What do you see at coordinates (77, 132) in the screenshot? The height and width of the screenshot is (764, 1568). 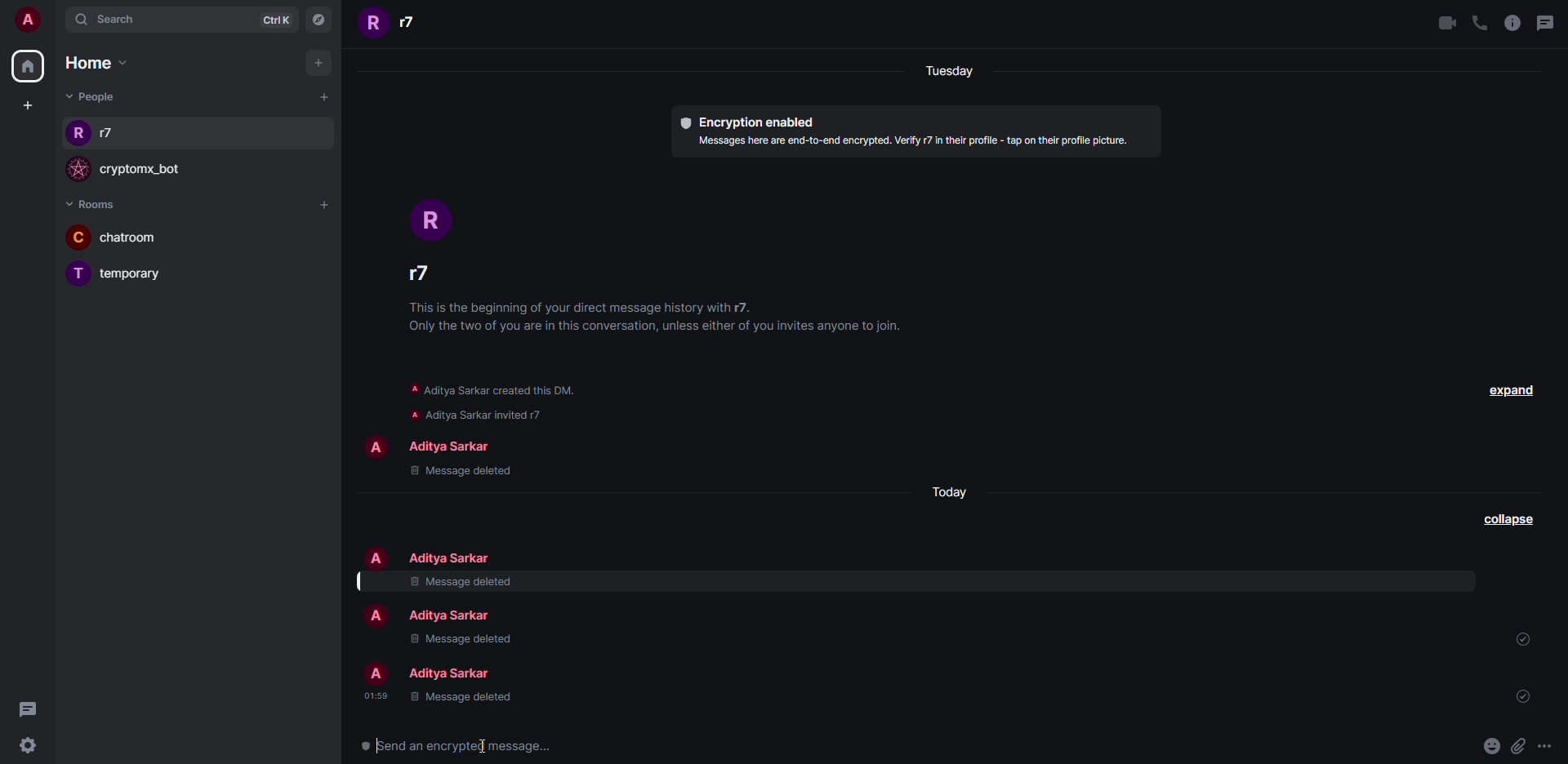 I see `profile` at bounding box center [77, 132].